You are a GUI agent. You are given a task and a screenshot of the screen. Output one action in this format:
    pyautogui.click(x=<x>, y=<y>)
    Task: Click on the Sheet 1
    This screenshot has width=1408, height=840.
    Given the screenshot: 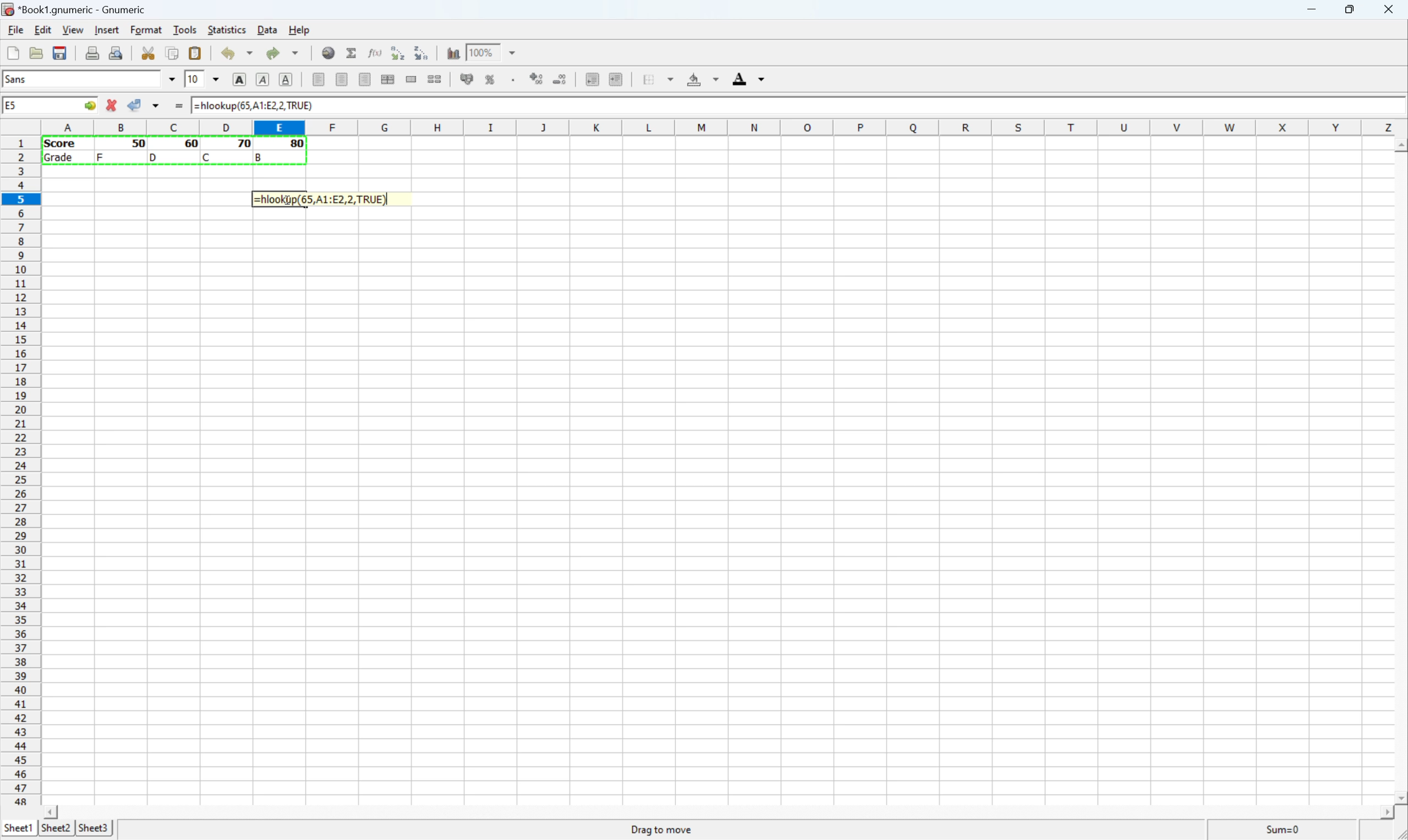 What is the action you would take?
    pyautogui.click(x=18, y=828)
    